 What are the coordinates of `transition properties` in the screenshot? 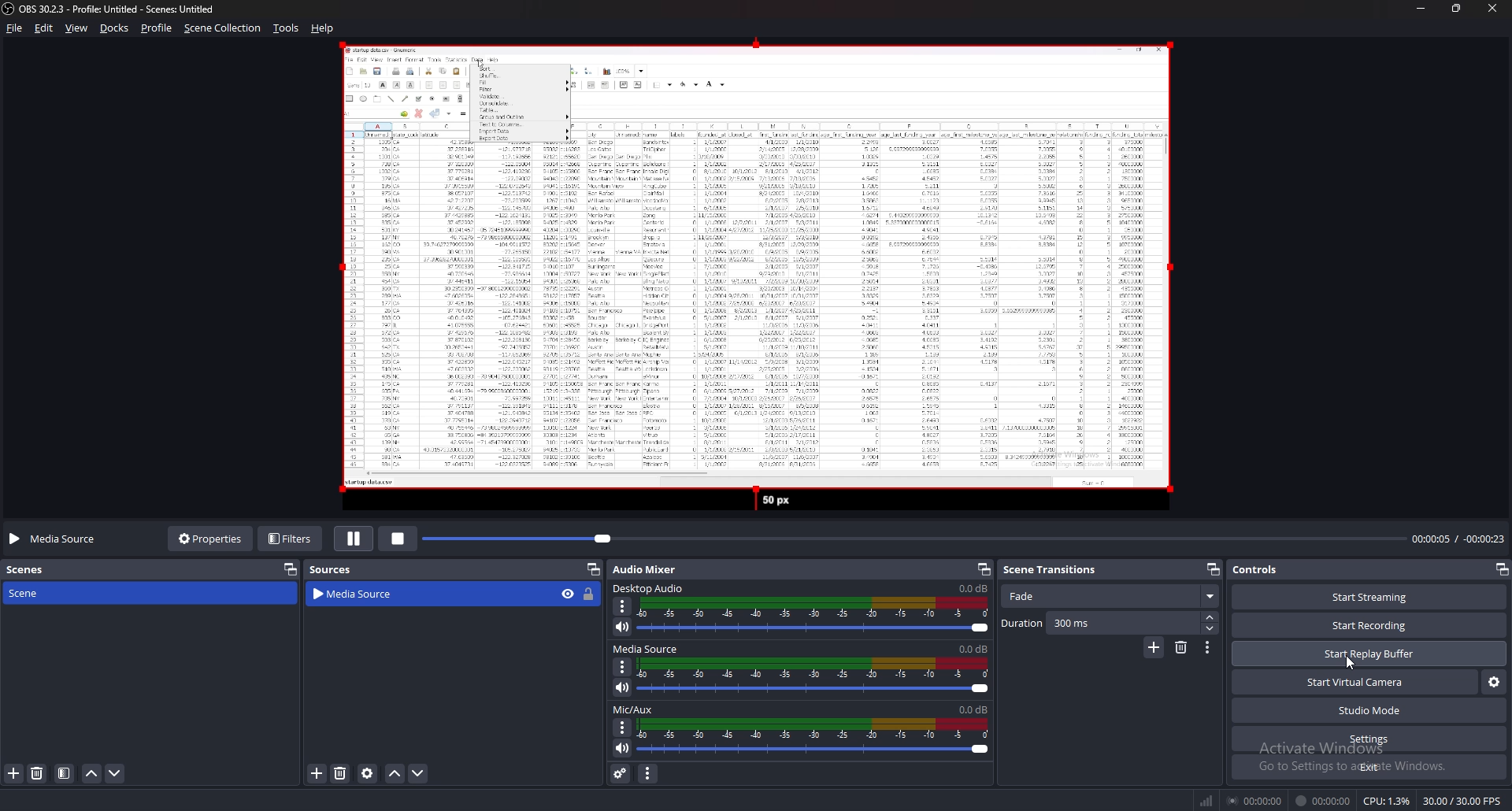 It's located at (1208, 647).